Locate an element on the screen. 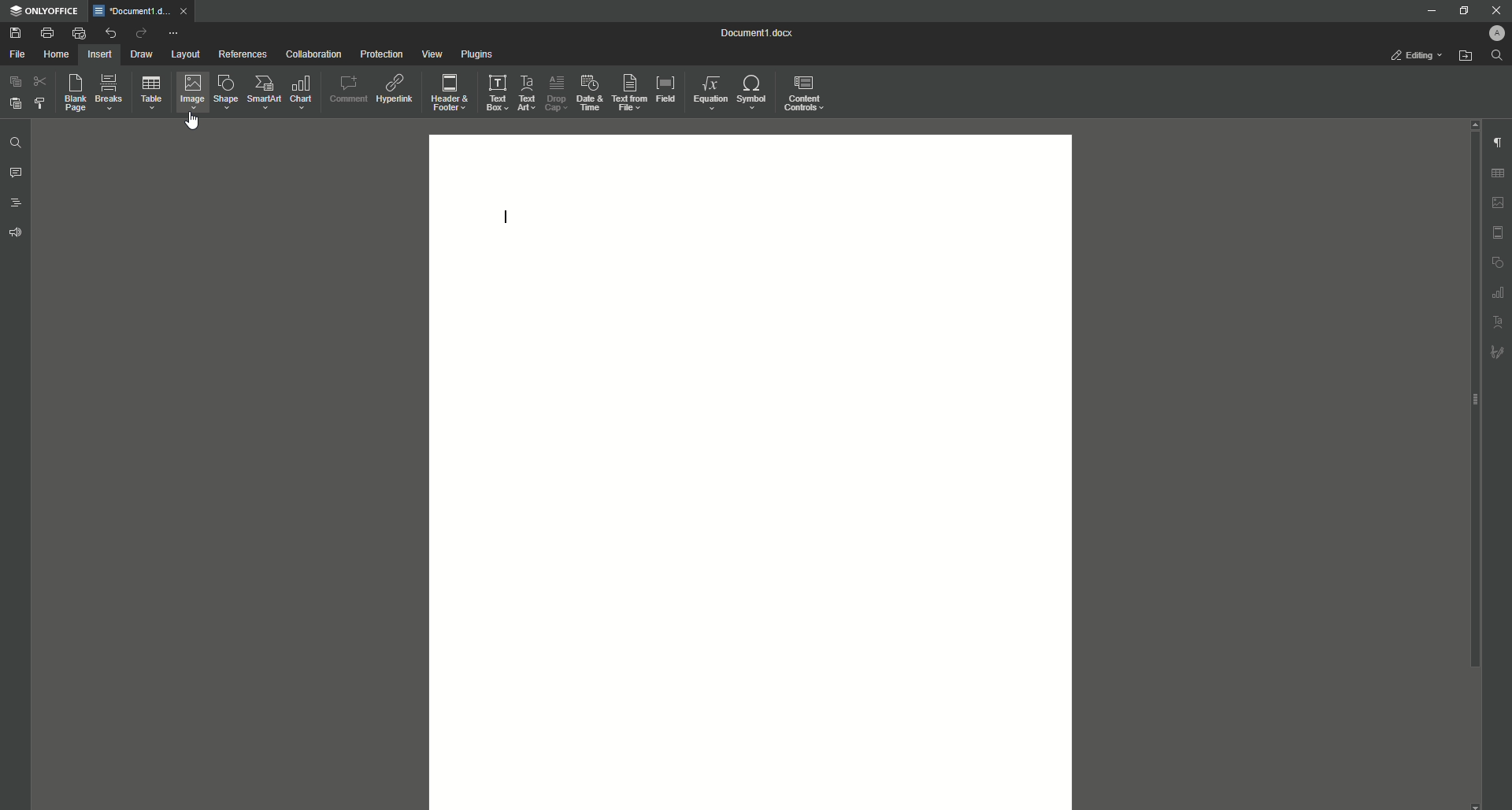 The height and width of the screenshot is (810, 1512). ONLYOFFICE is located at coordinates (43, 12).